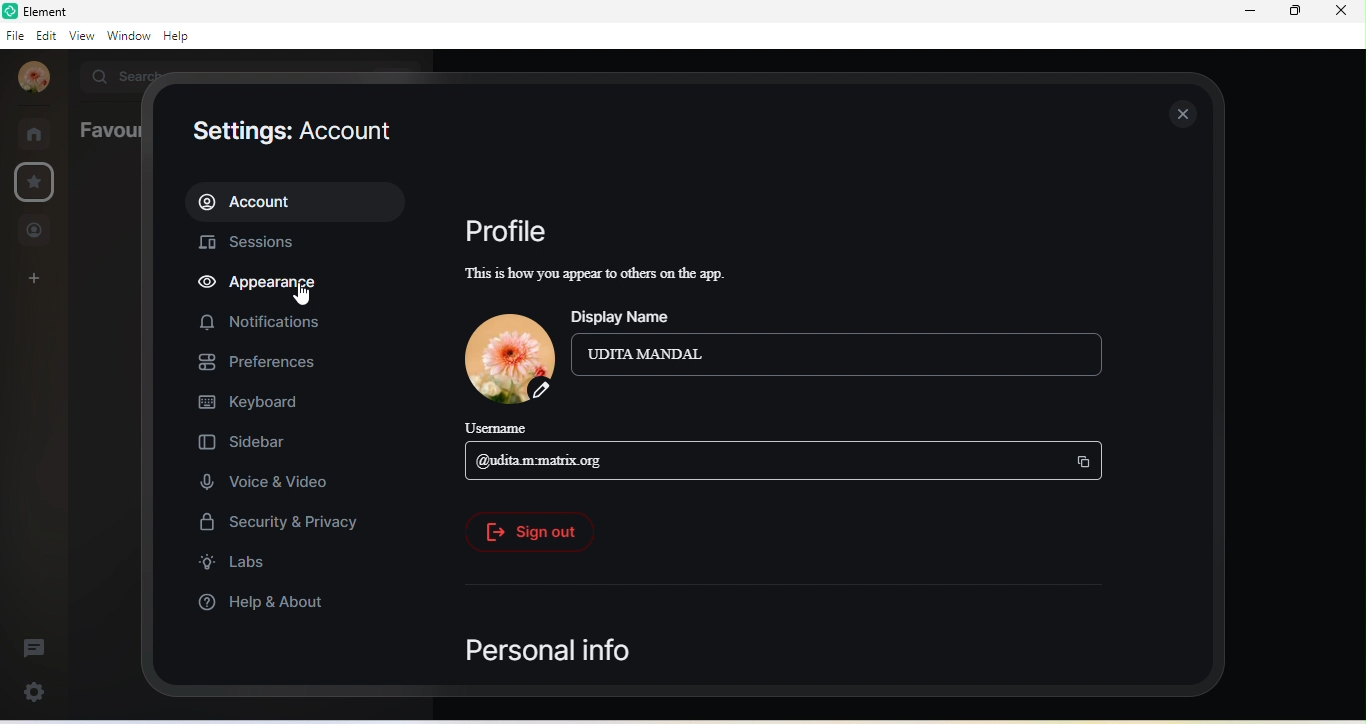  What do you see at coordinates (839, 355) in the screenshot?
I see `udita mandal` at bounding box center [839, 355].